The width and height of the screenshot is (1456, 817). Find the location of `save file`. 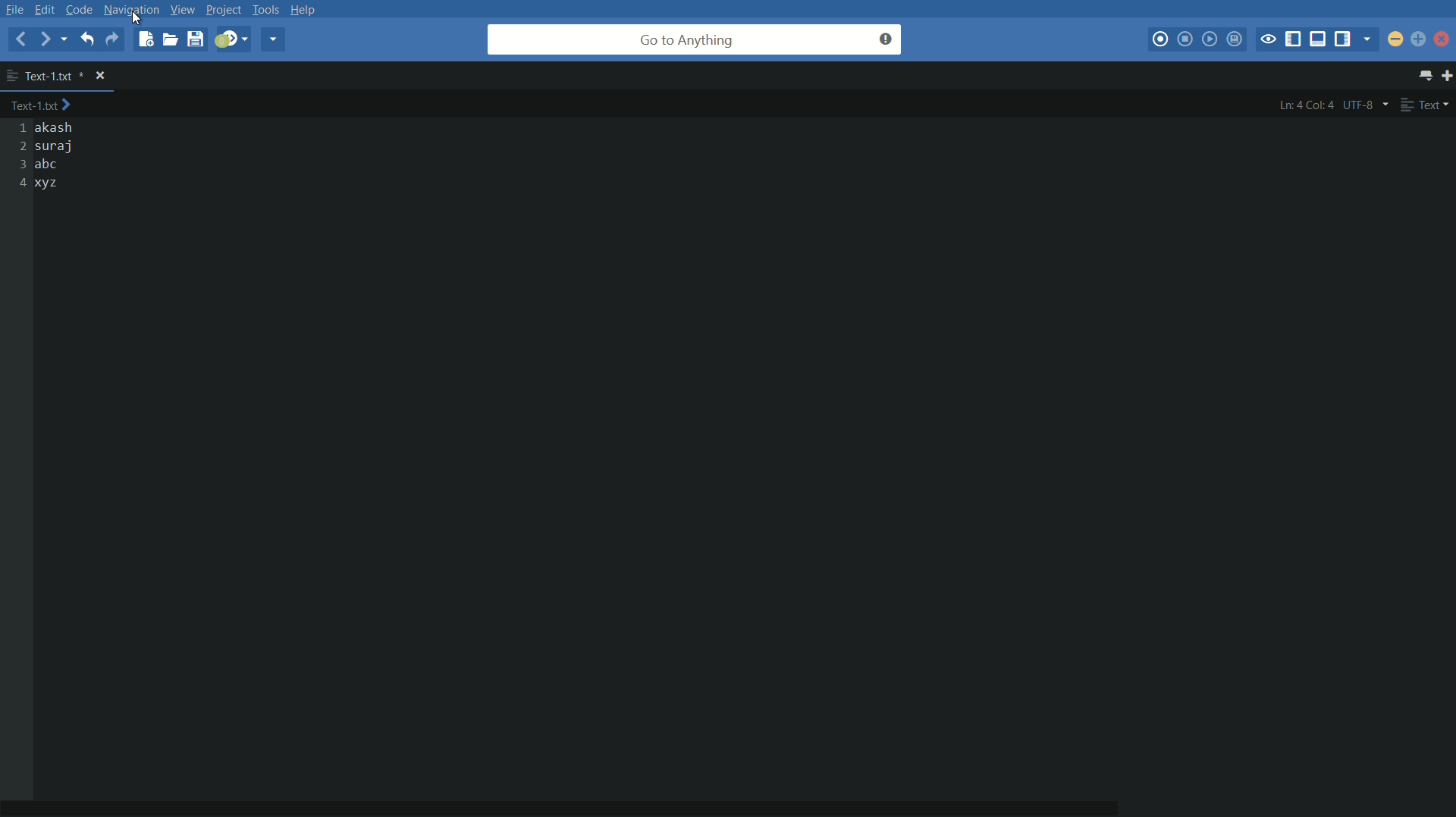

save file is located at coordinates (195, 40).